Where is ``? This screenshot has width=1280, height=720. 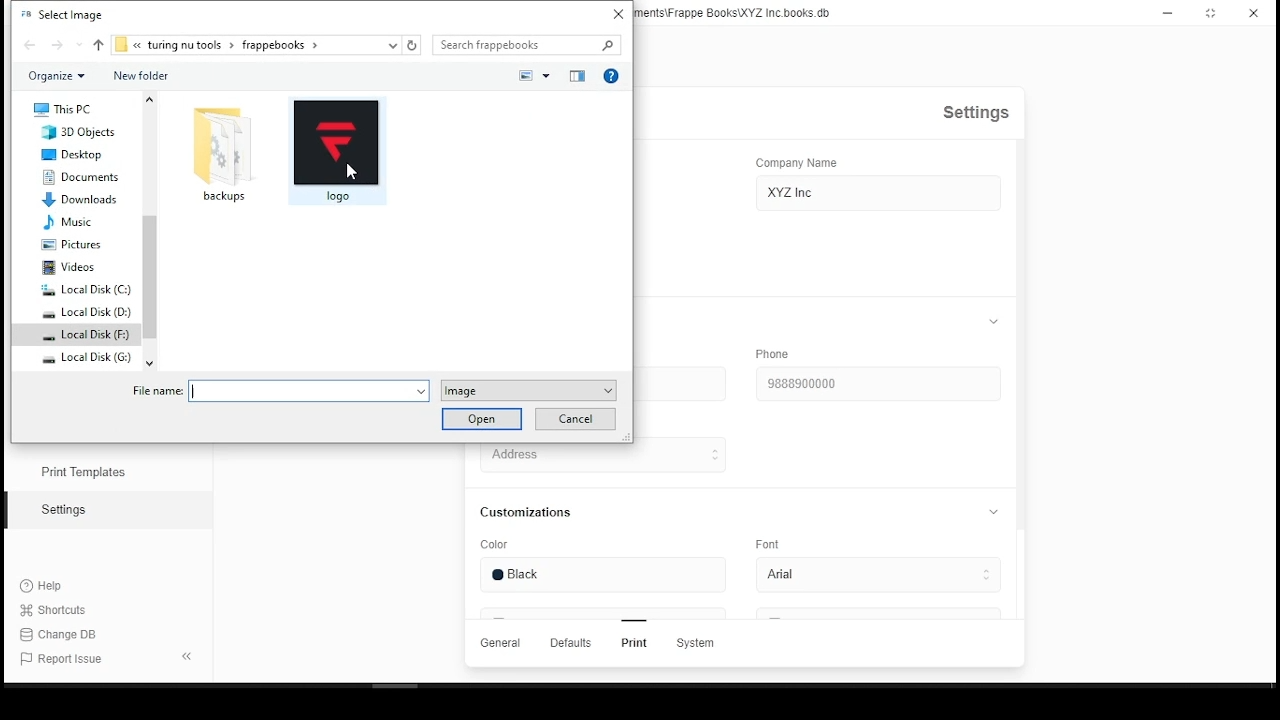
 is located at coordinates (471, 76).